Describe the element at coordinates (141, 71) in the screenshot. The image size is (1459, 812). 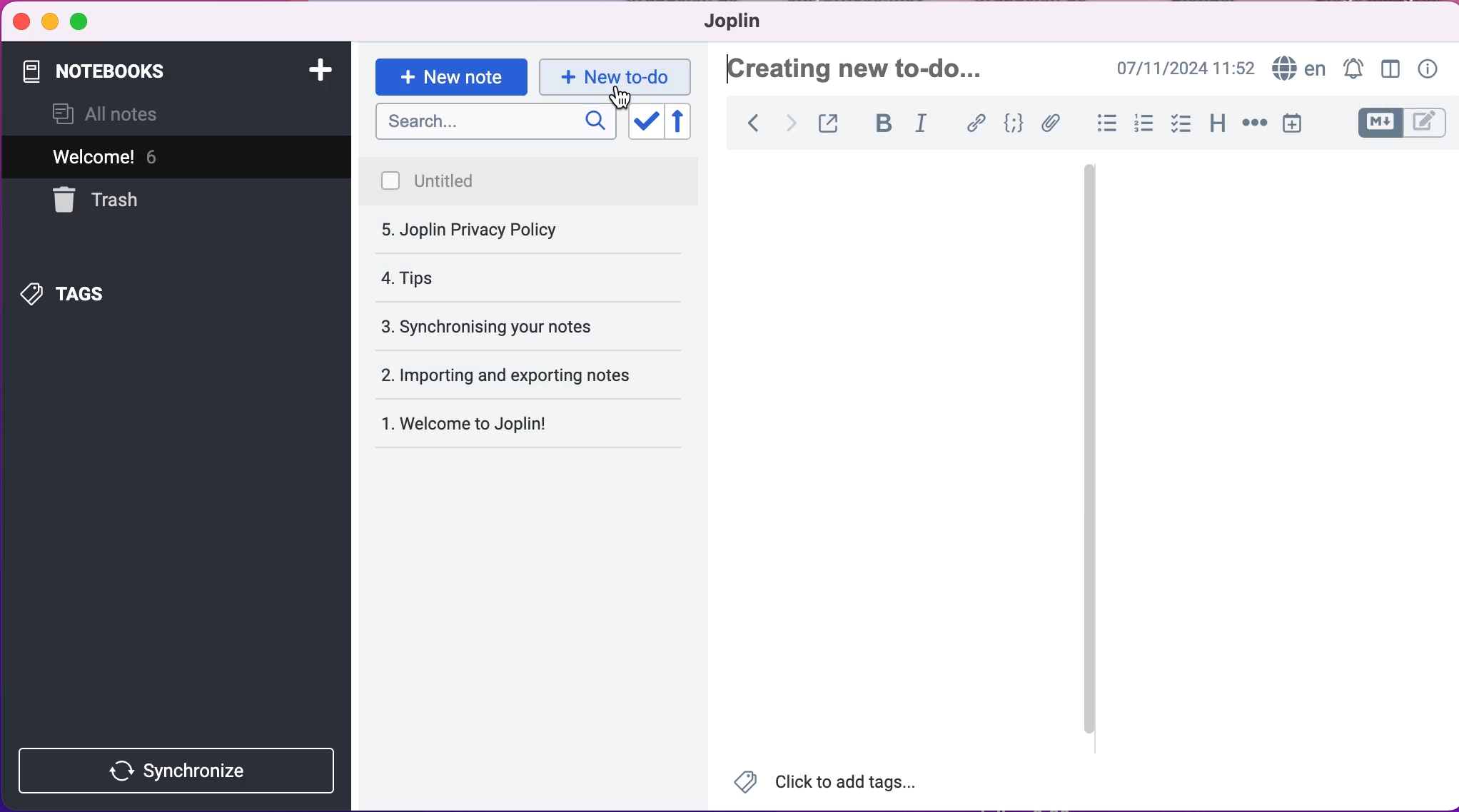
I see `notebooks` at that location.